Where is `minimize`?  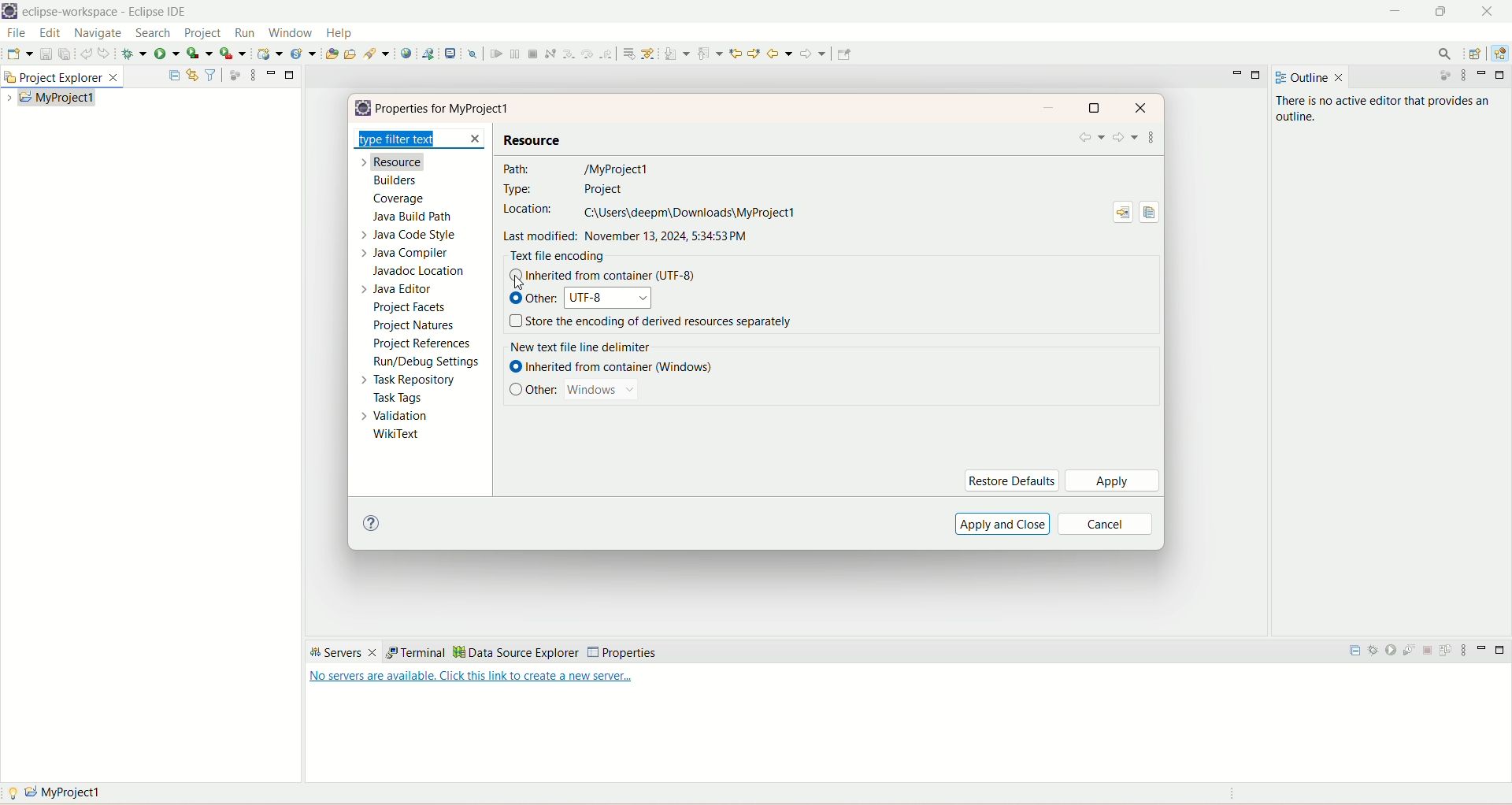
minimize is located at coordinates (1235, 74).